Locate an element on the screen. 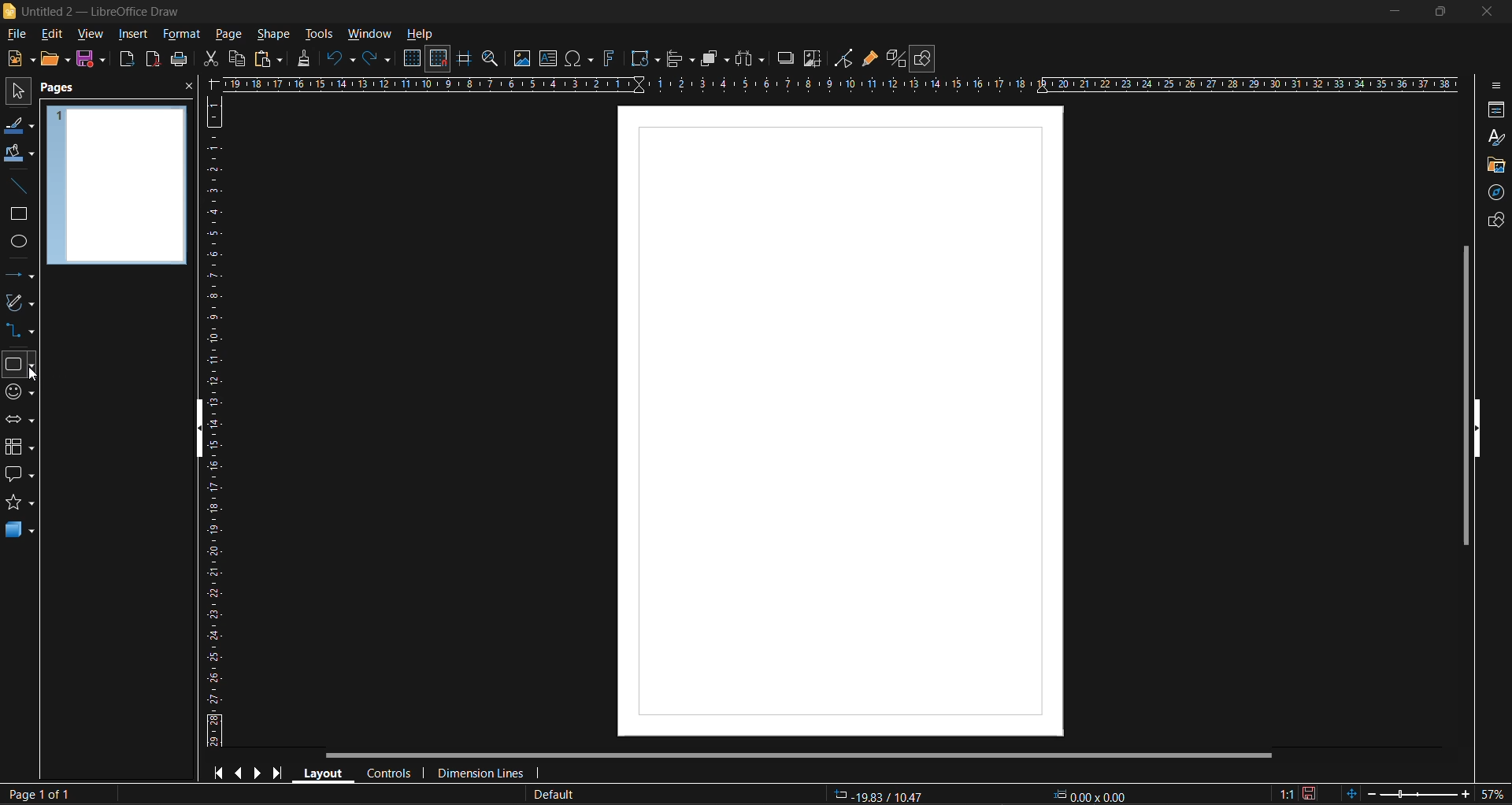  stars and banners is located at coordinates (18, 502).